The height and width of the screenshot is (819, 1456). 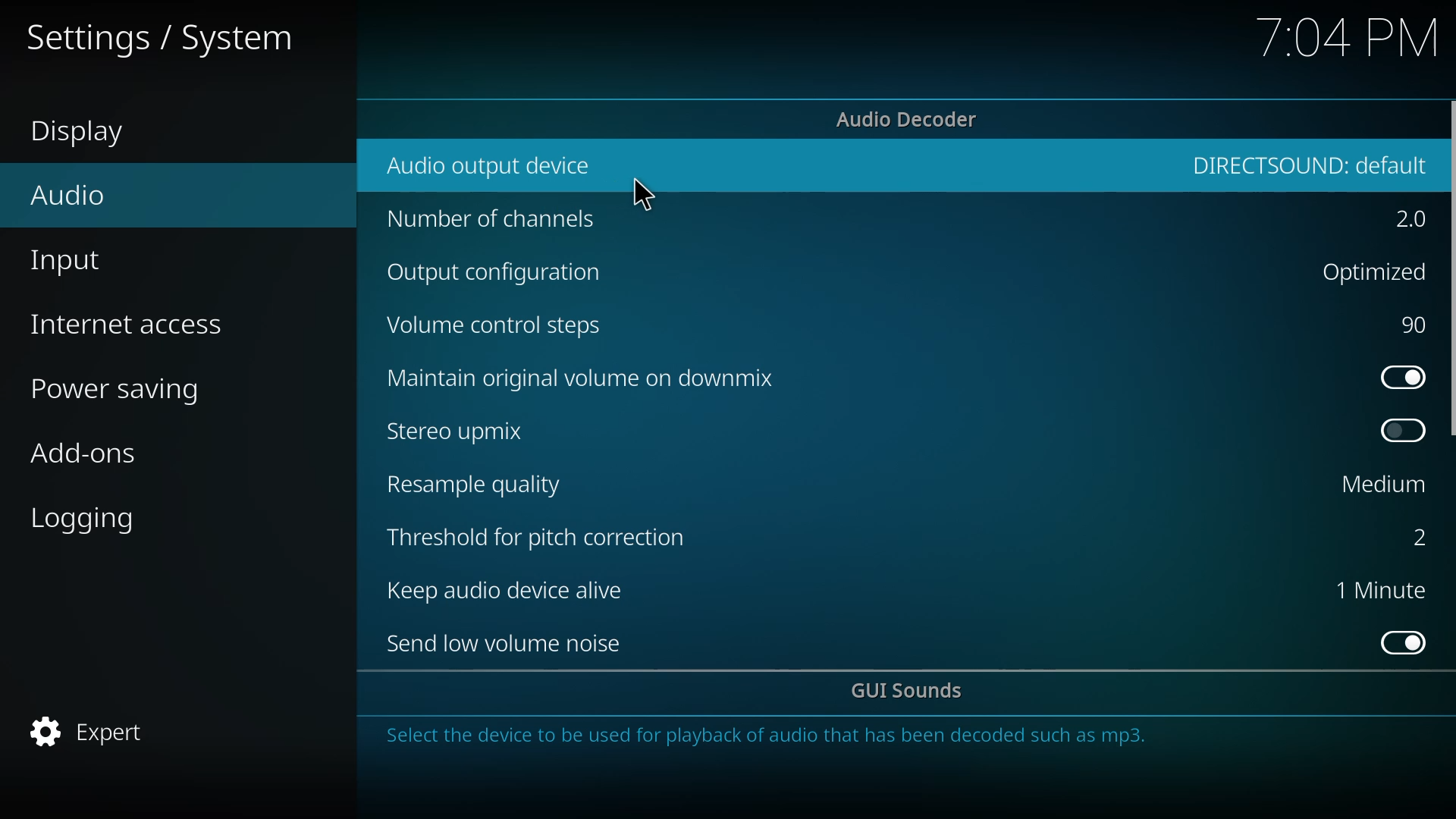 I want to click on scroll bar, so click(x=1461, y=267).